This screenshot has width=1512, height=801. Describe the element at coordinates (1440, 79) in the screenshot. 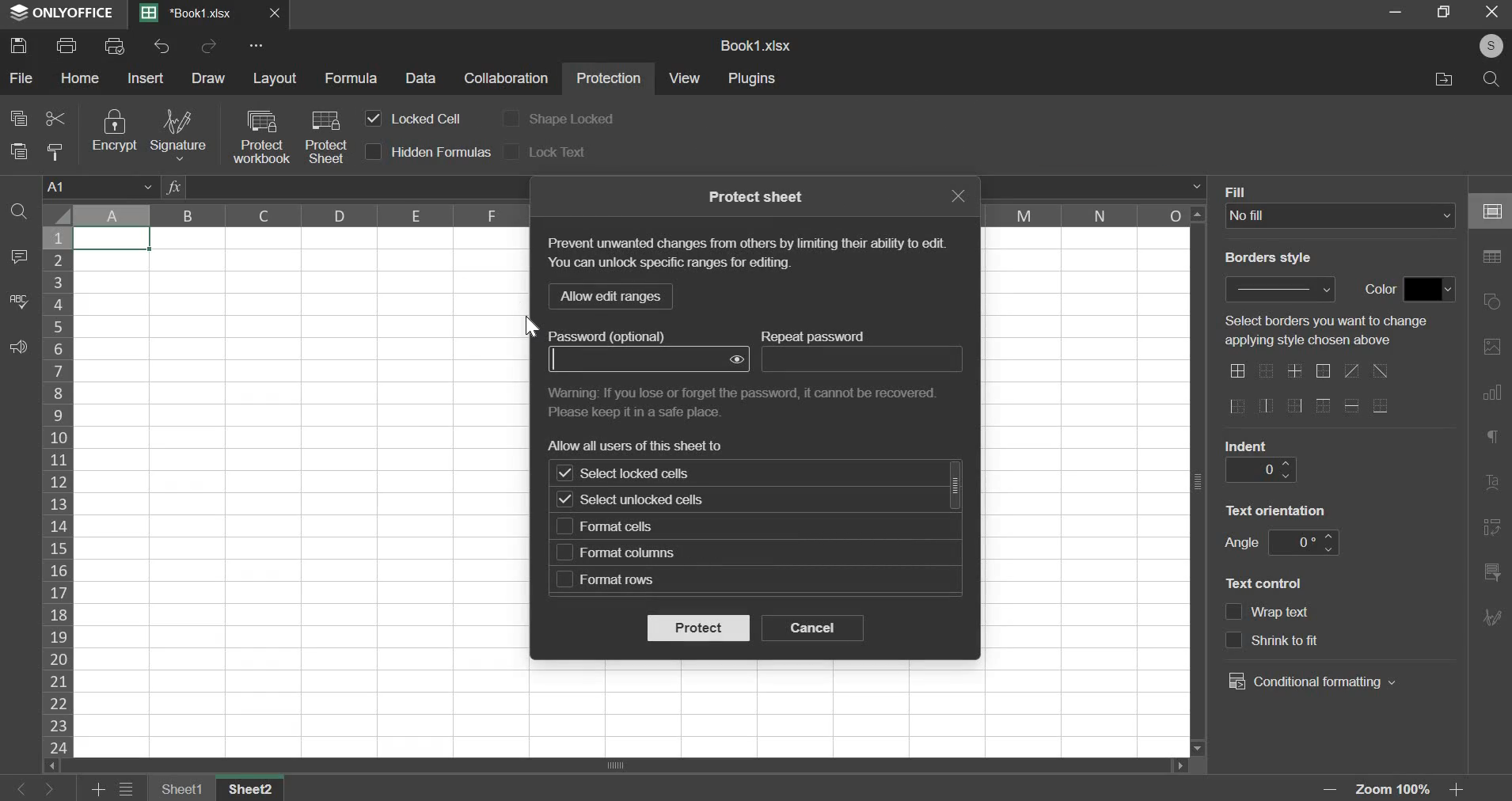

I see `File` at that location.